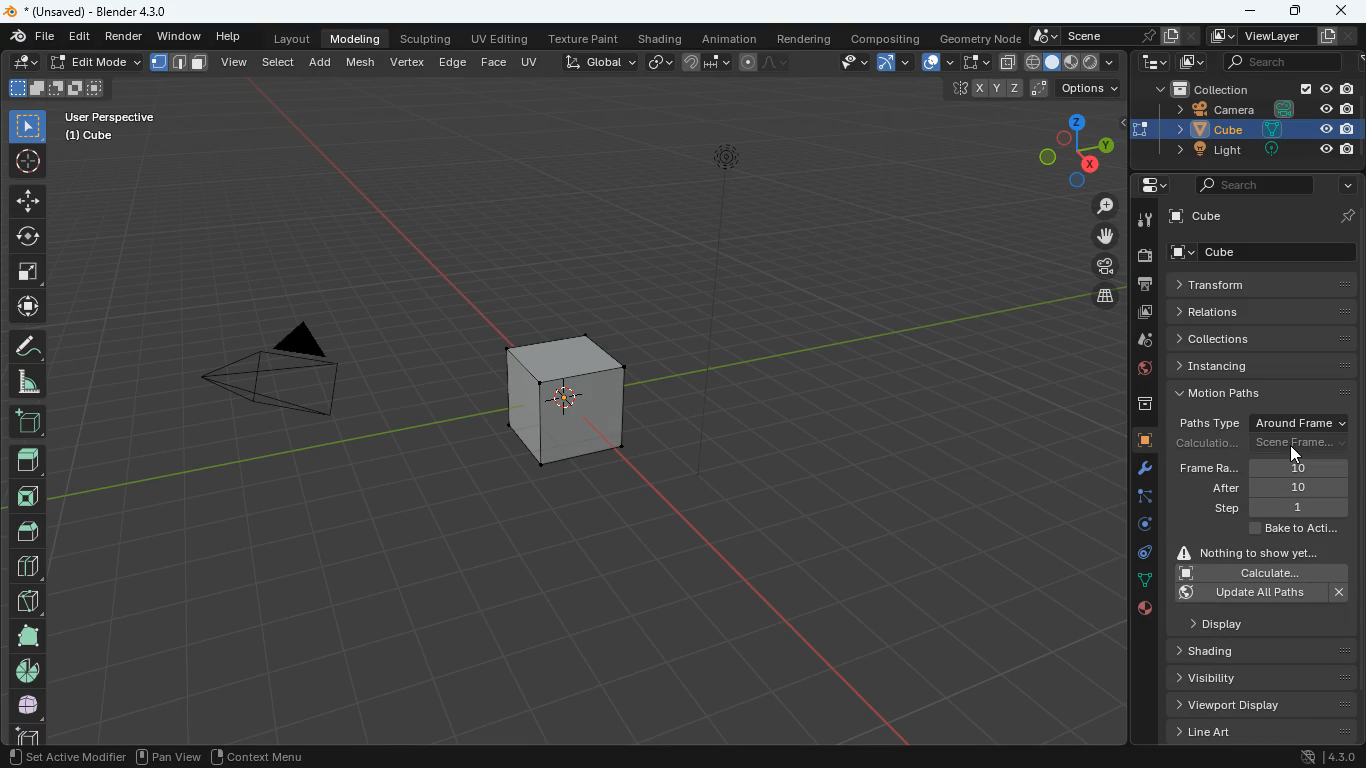  I want to click on view, so click(235, 61).